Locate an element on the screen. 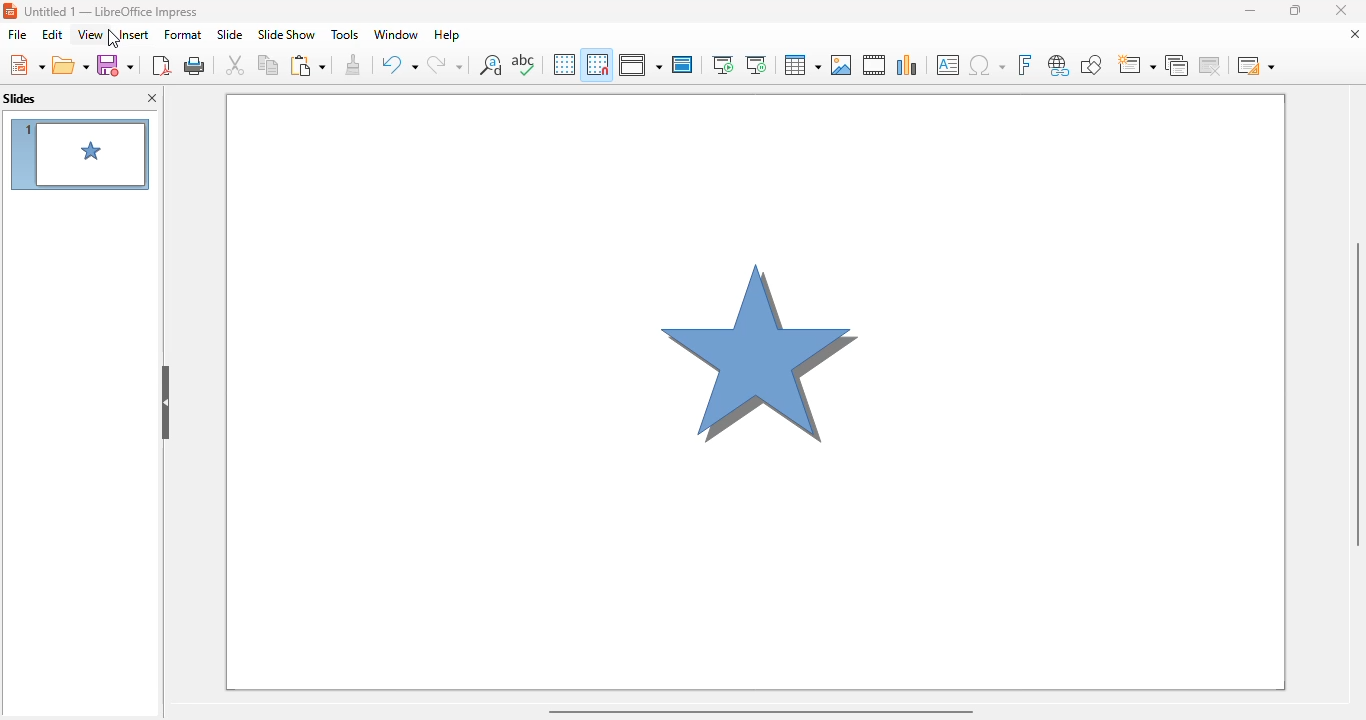 The width and height of the screenshot is (1366, 720). open is located at coordinates (70, 64).